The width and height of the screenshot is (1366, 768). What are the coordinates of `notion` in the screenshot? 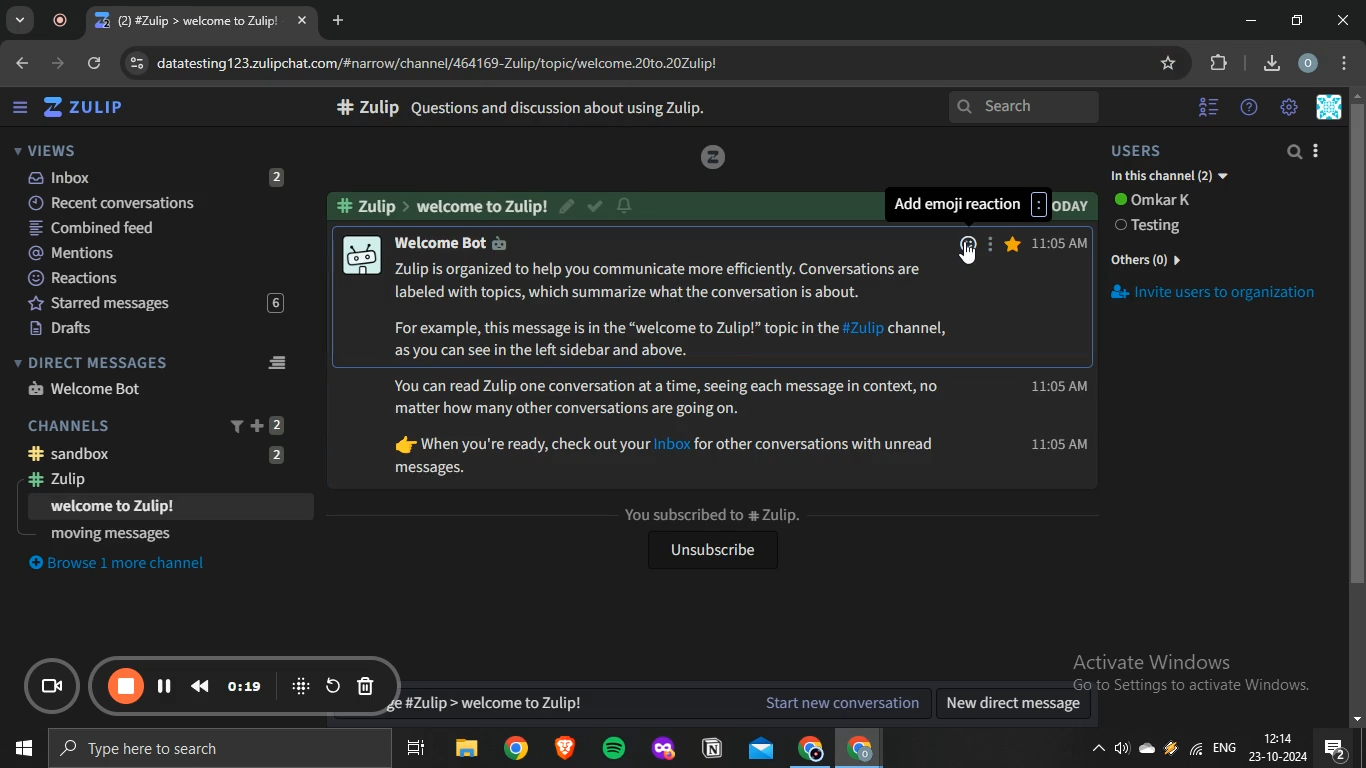 It's located at (714, 749).